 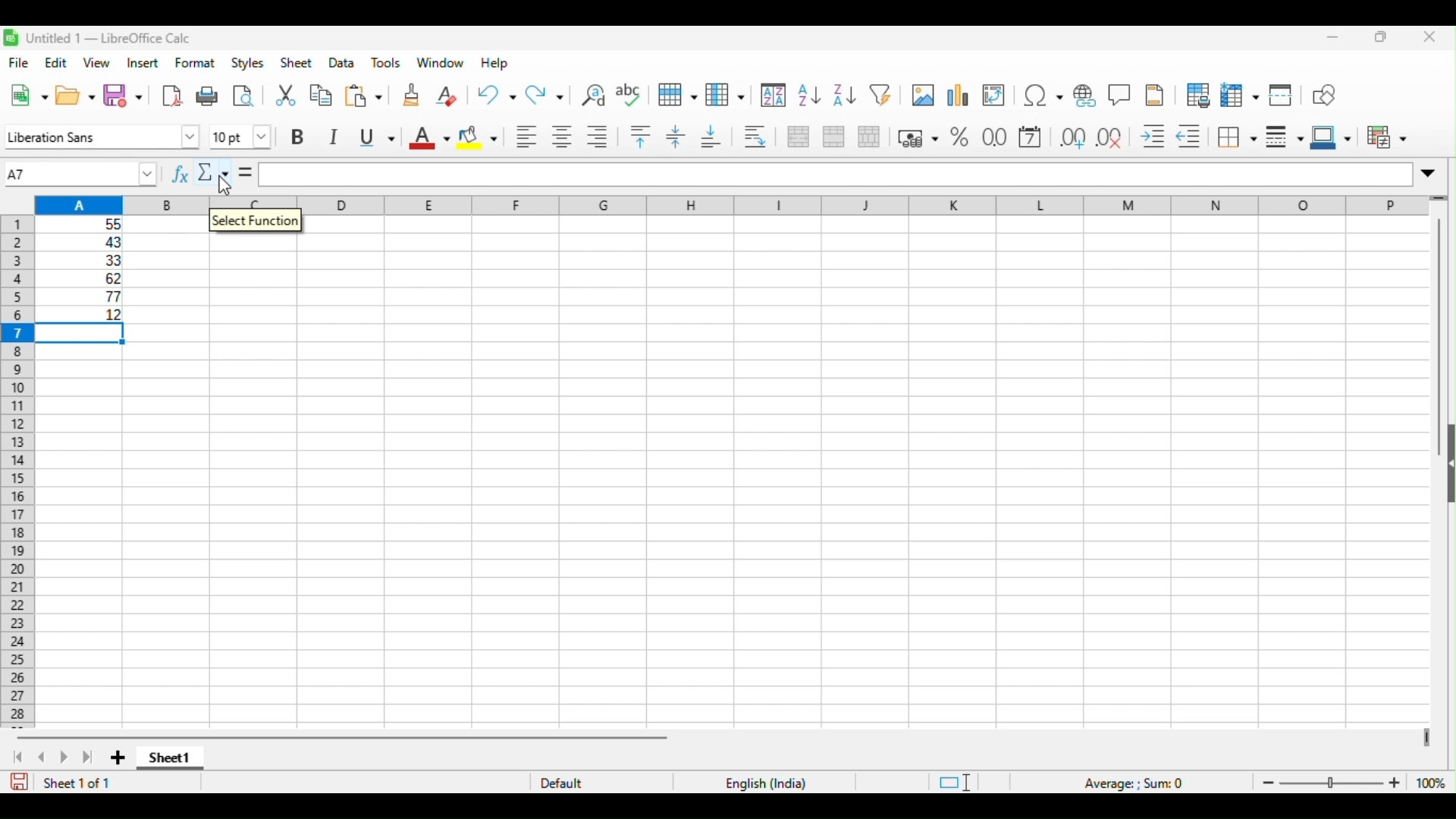 I want to click on format as date, so click(x=1032, y=137).